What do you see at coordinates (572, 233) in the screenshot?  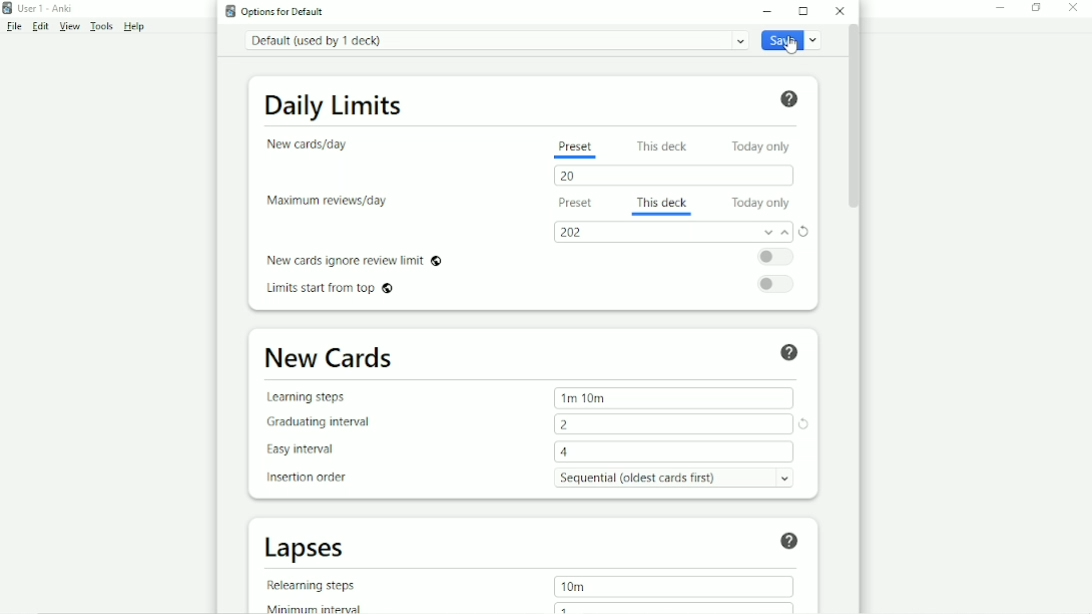 I see `202` at bounding box center [572, 233].